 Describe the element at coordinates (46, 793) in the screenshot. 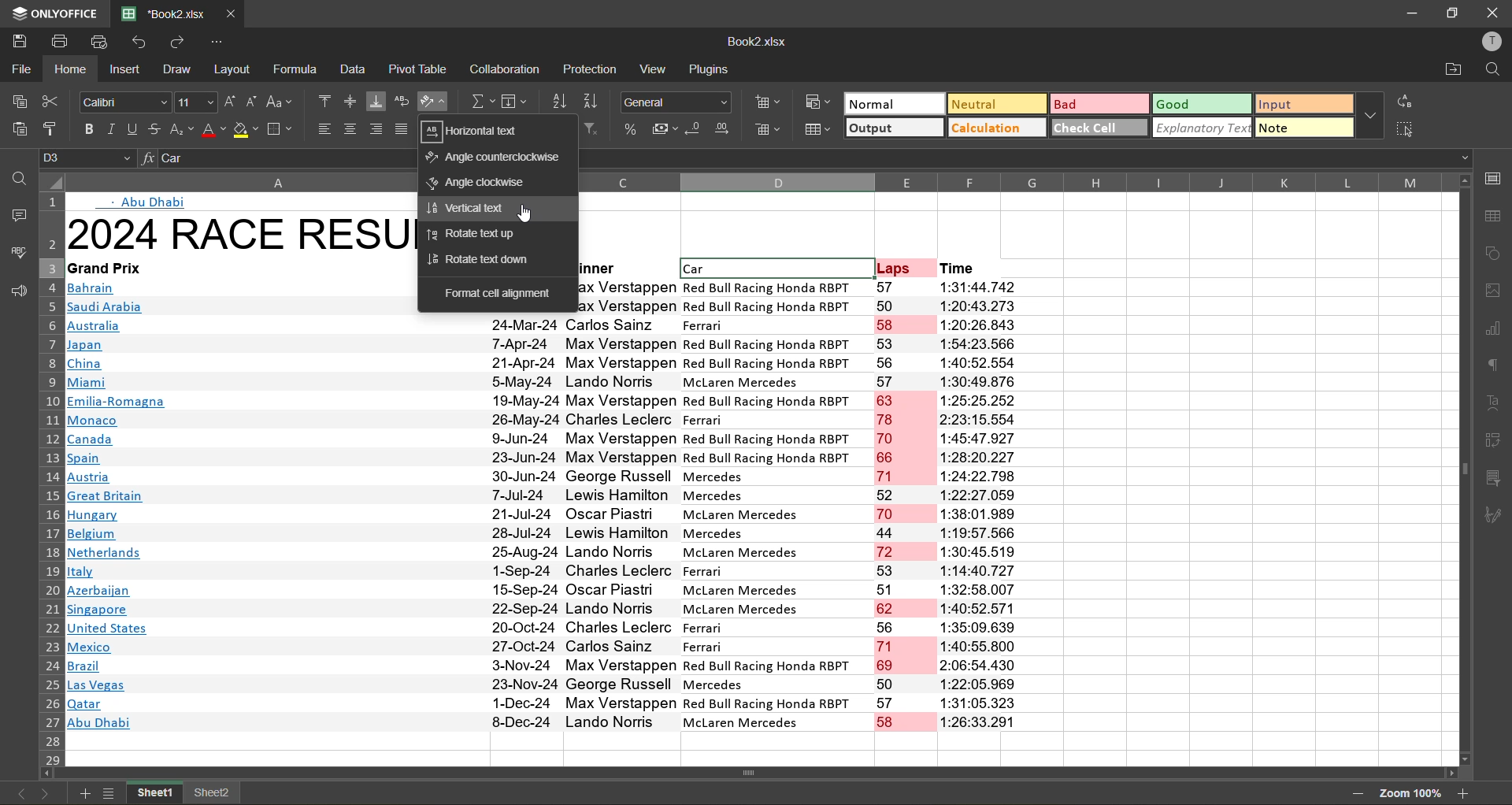

I see `next` at that location.